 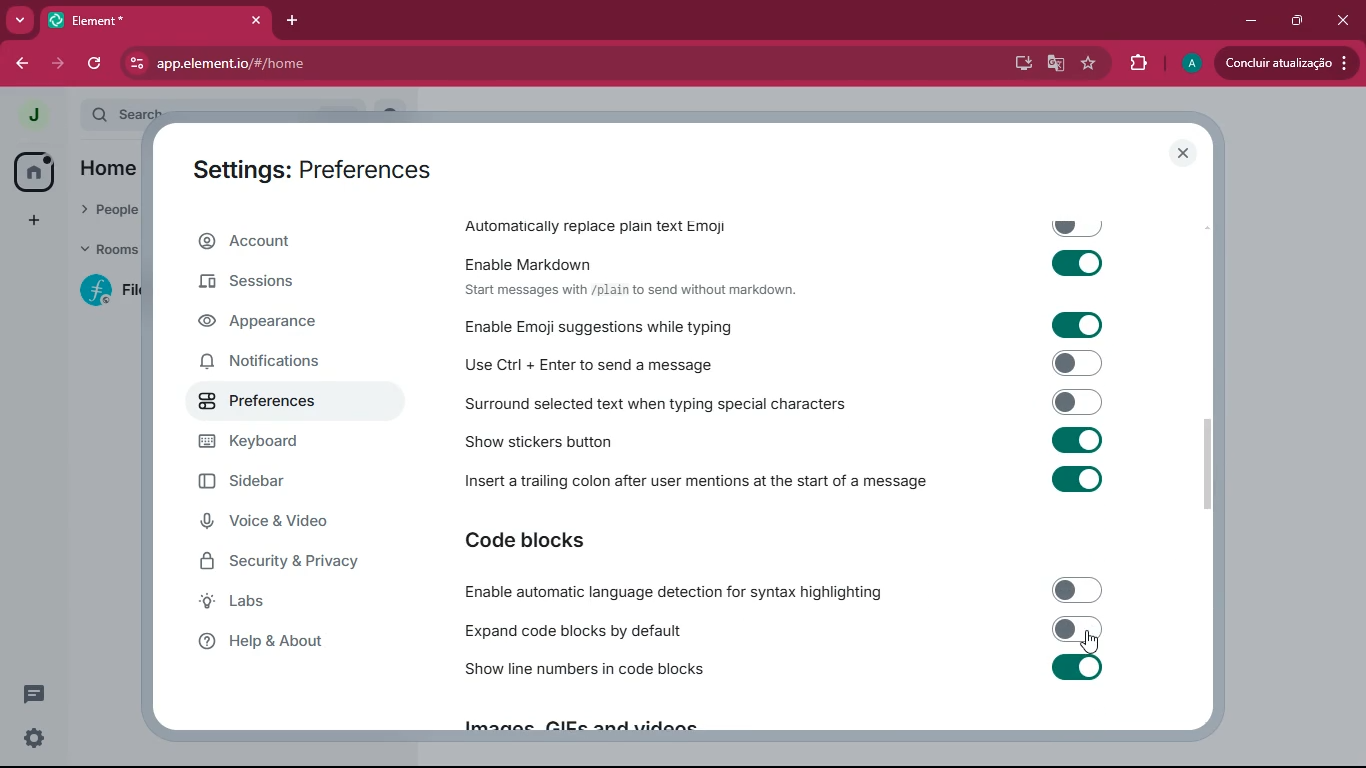 I want to click on Automatically replace plain text Emoji, so click(x=786, y=222).